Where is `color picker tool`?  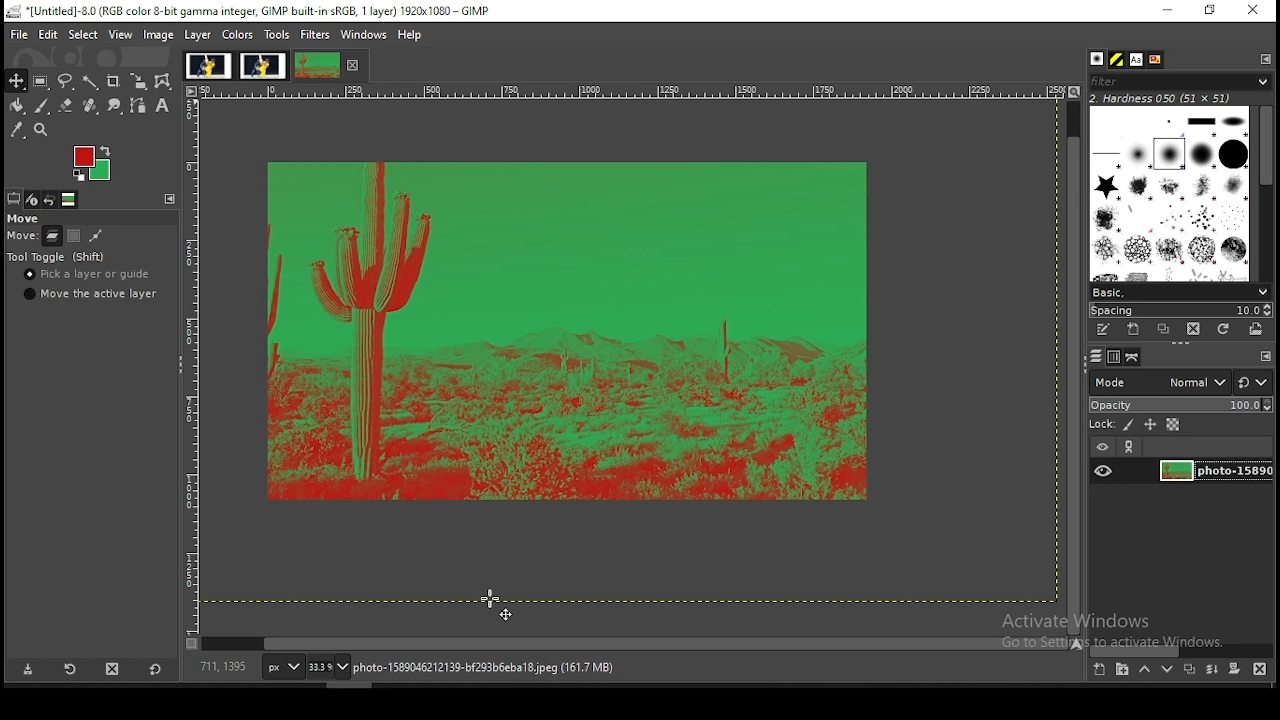
color picker tool is located at coordinates (17, 130).